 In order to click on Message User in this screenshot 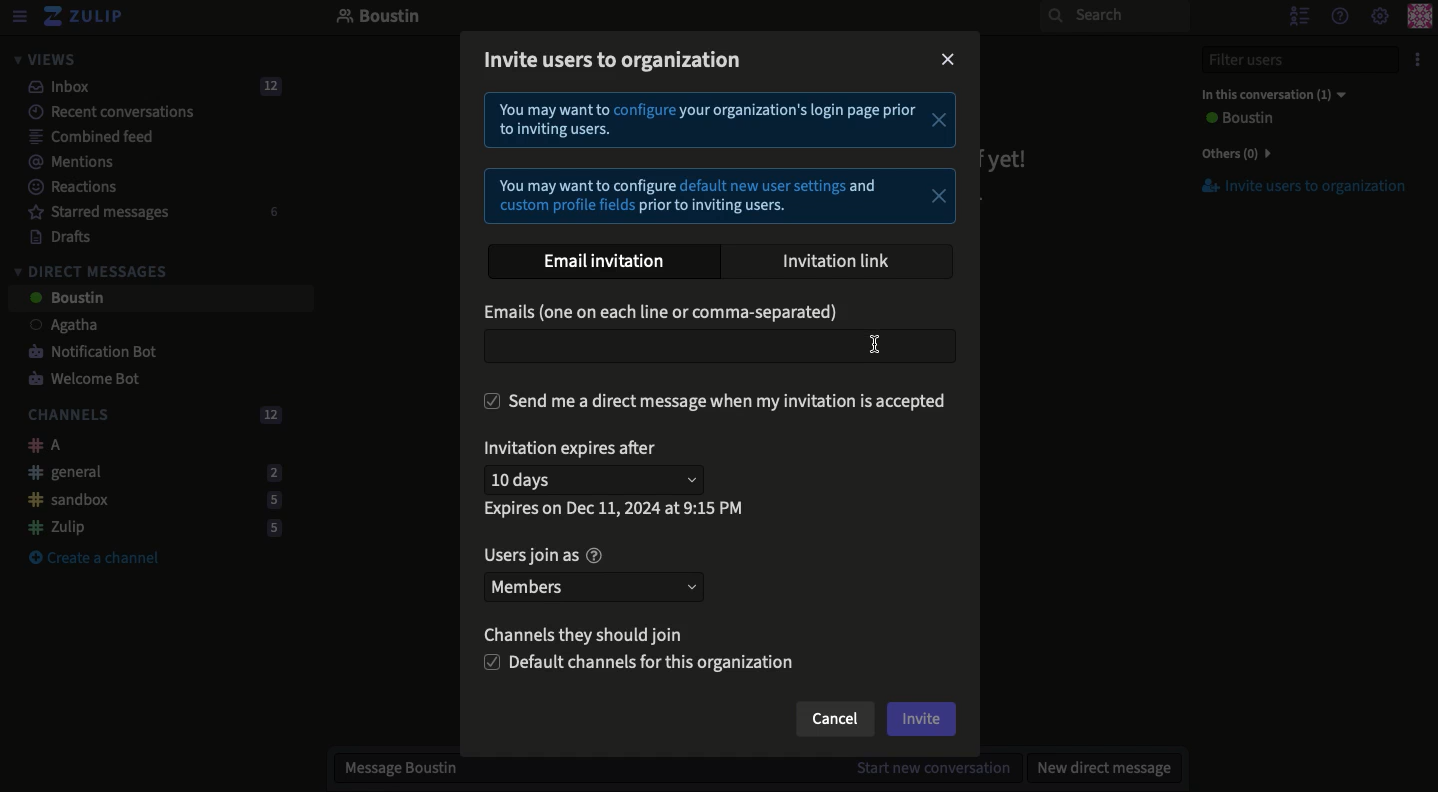, I will do `click(665, 770)`.